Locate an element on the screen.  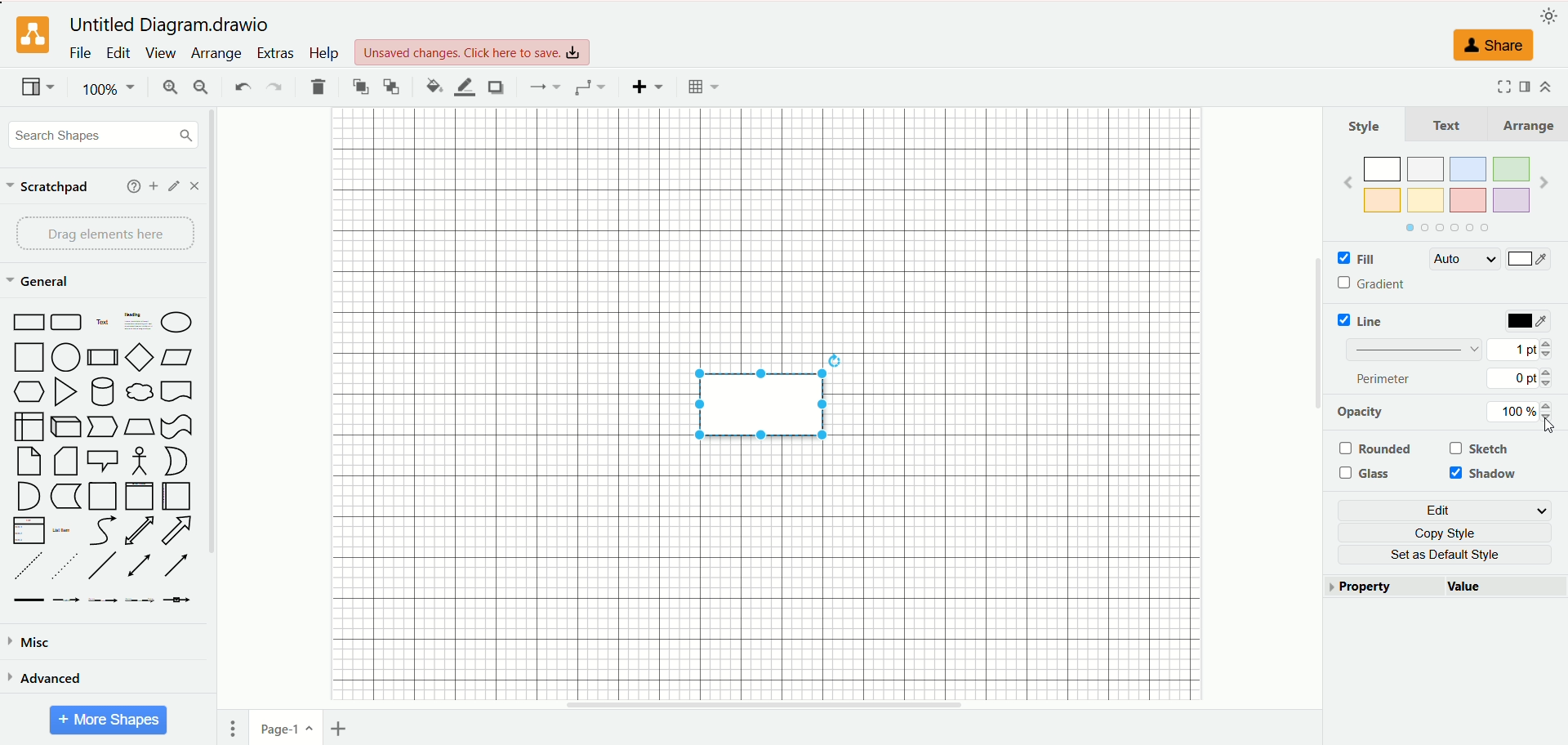
redo is located at coordinates (273, 88).